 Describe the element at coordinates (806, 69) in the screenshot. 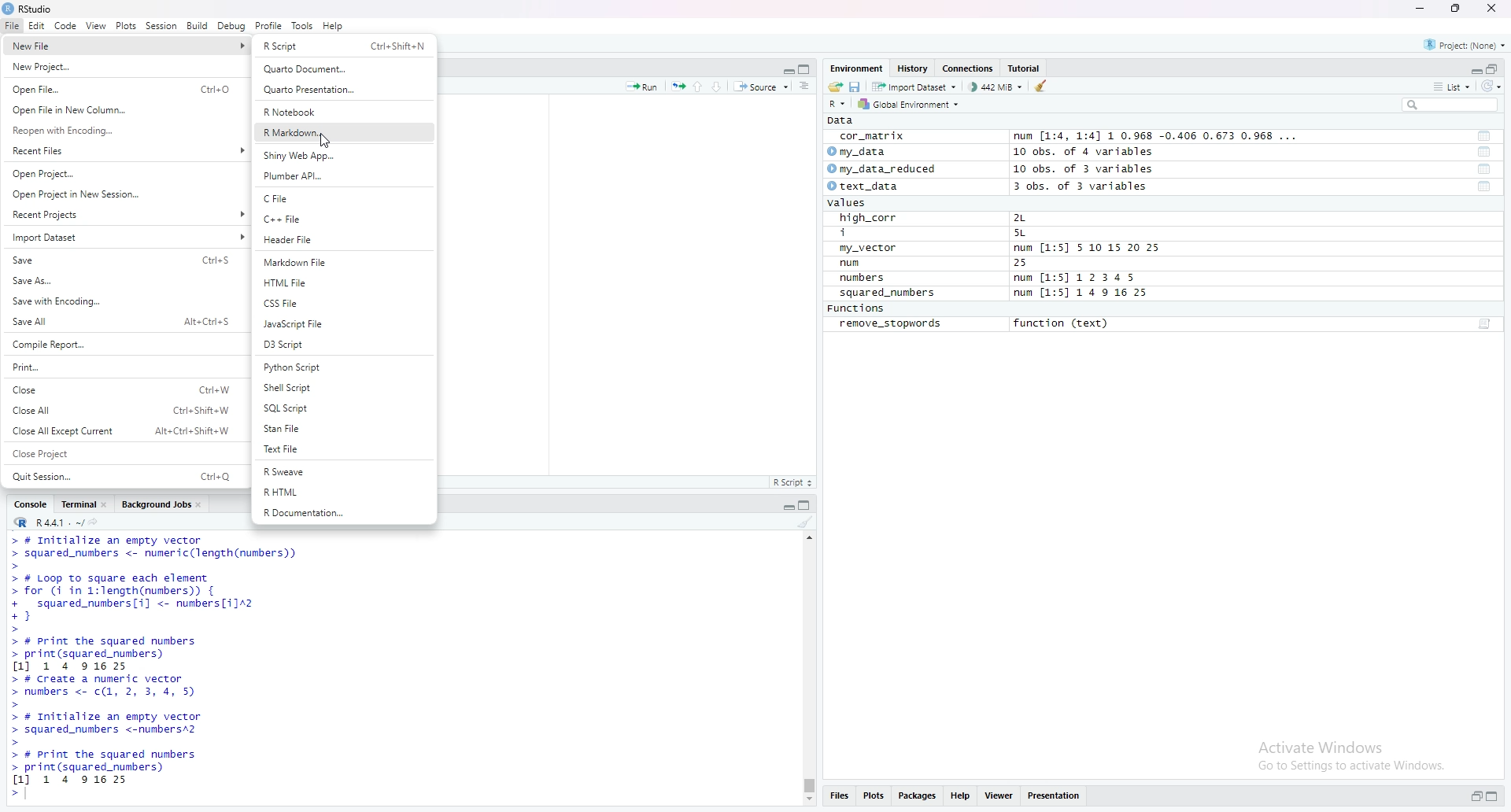

I see `maximize` at that location.